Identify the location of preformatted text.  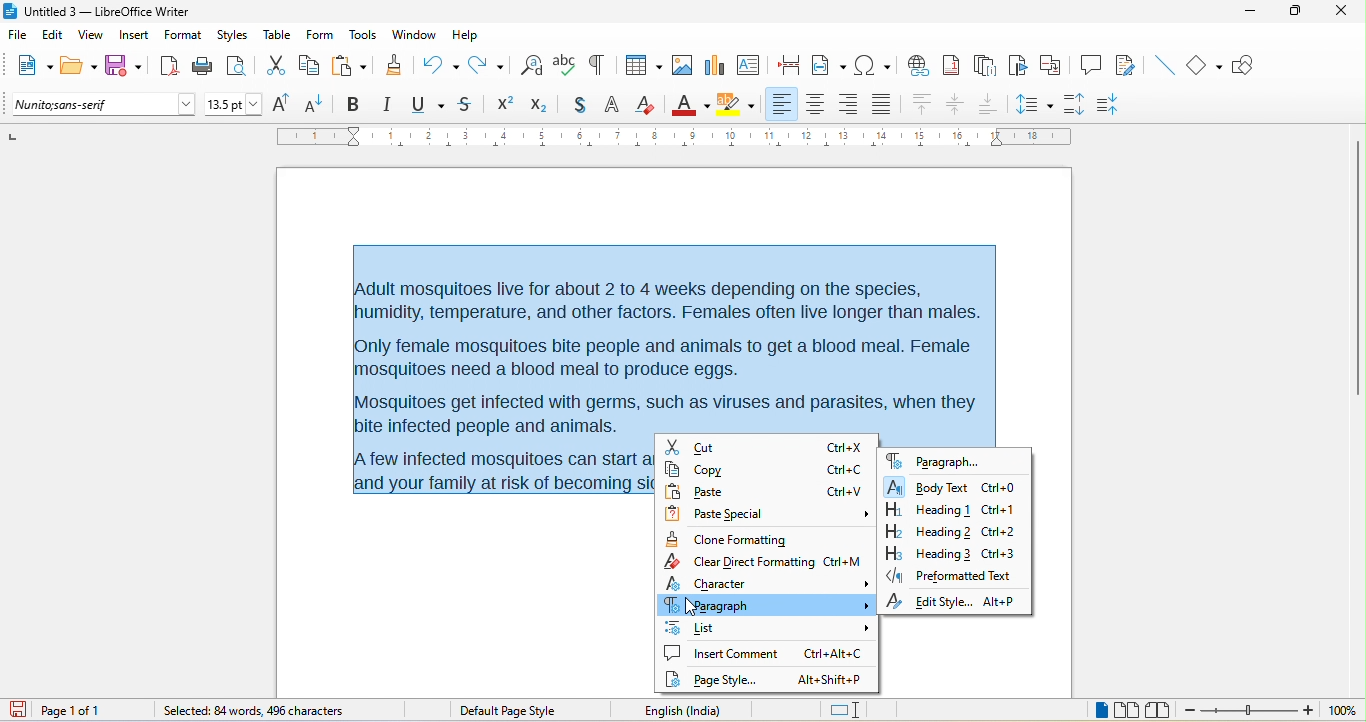
(949, 575).